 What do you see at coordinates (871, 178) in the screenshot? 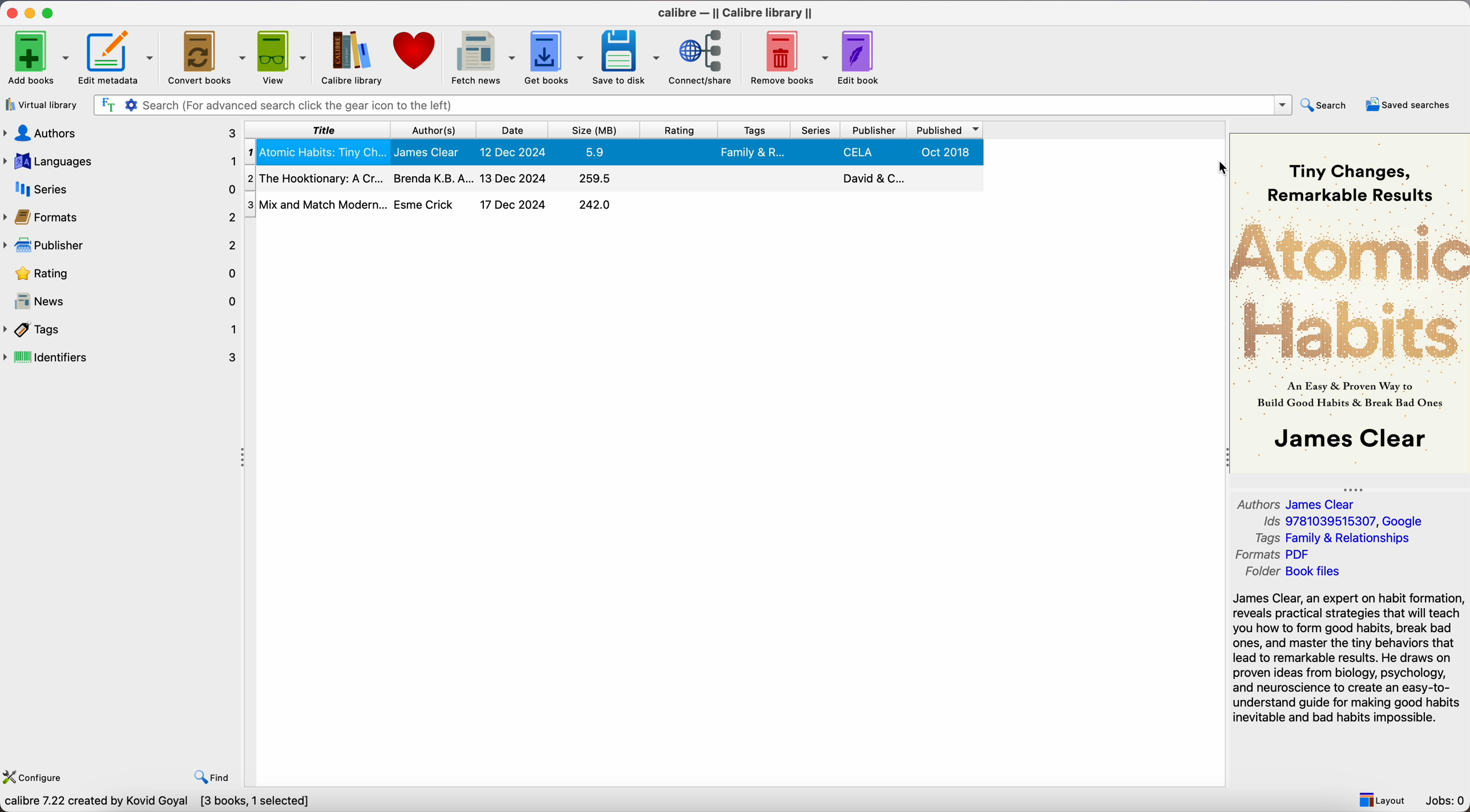
I see `David & C...` at bounding box center [871, 178].